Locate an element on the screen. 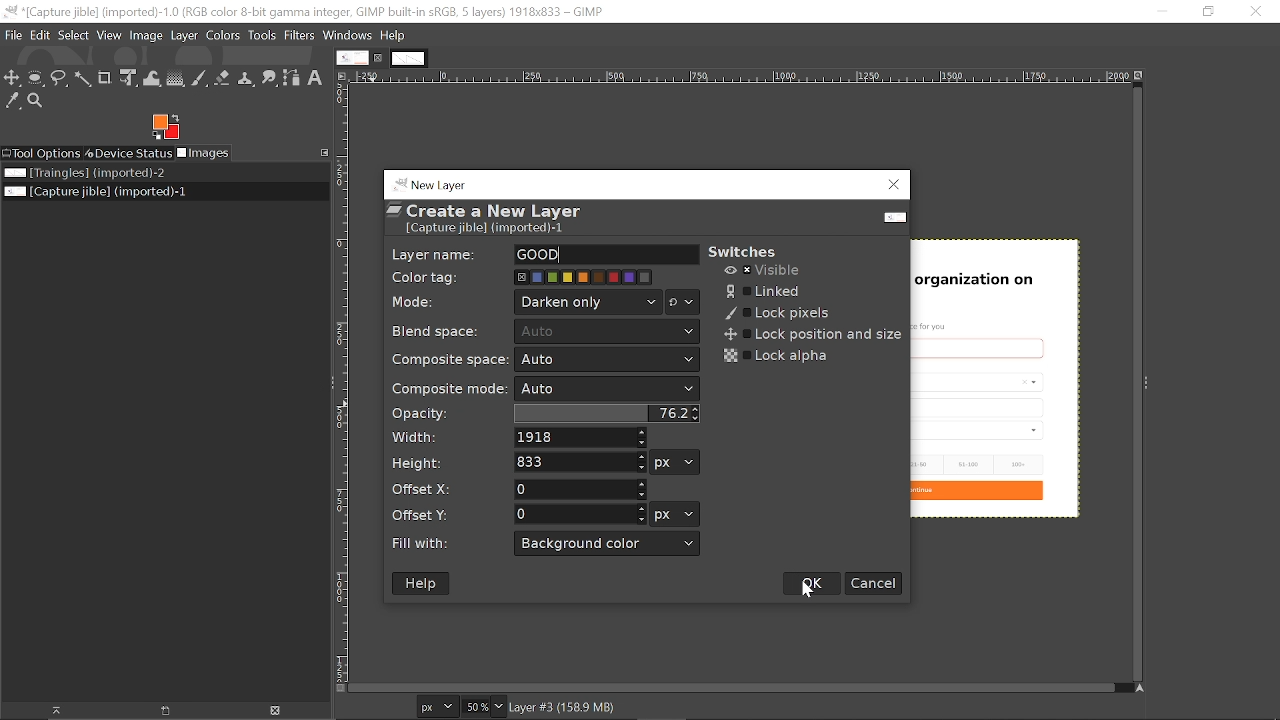  Offset Y: is located at coordinates (428, 512).